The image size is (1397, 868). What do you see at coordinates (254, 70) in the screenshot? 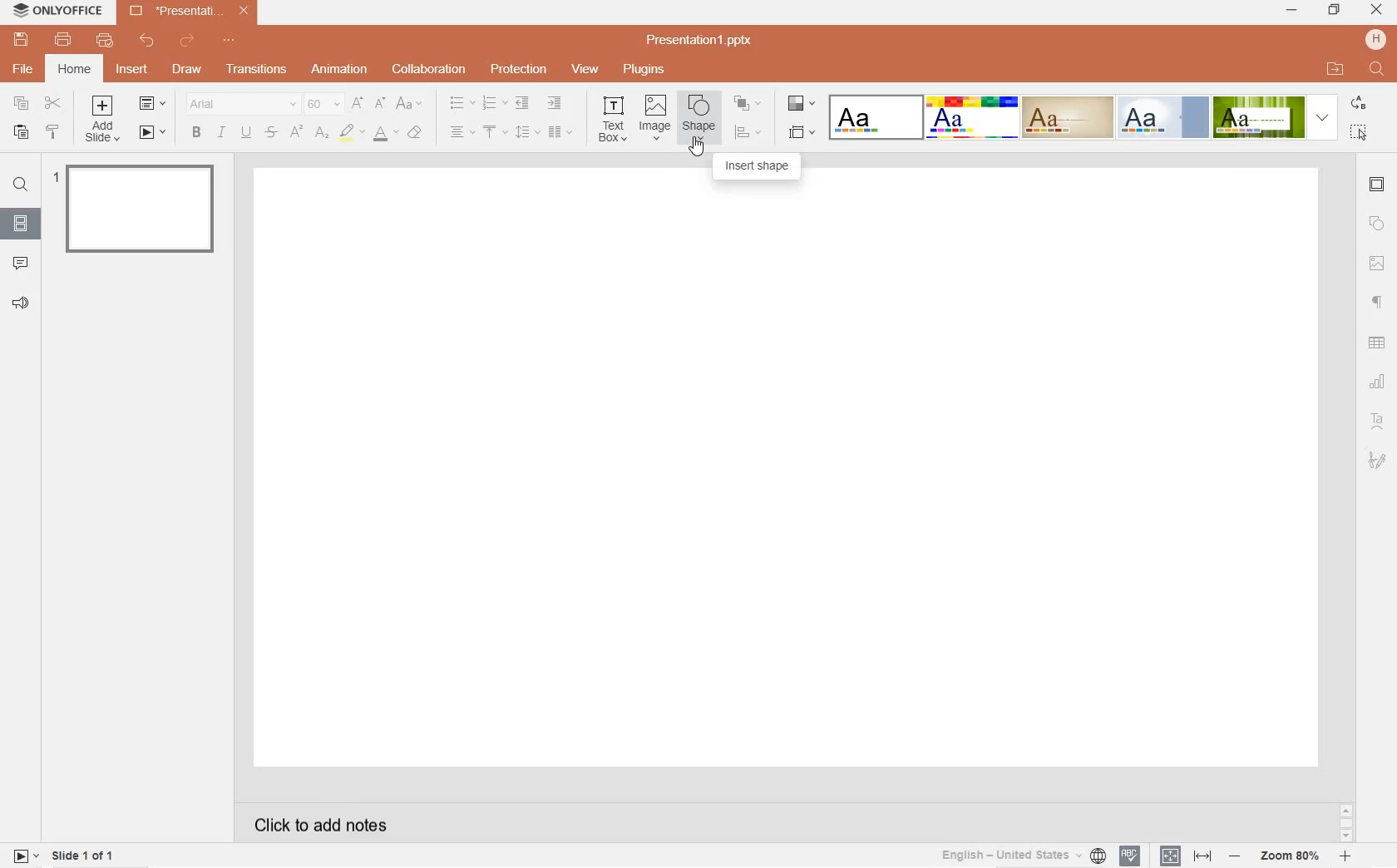
I see `transitions` at bounding box center [254, 70].